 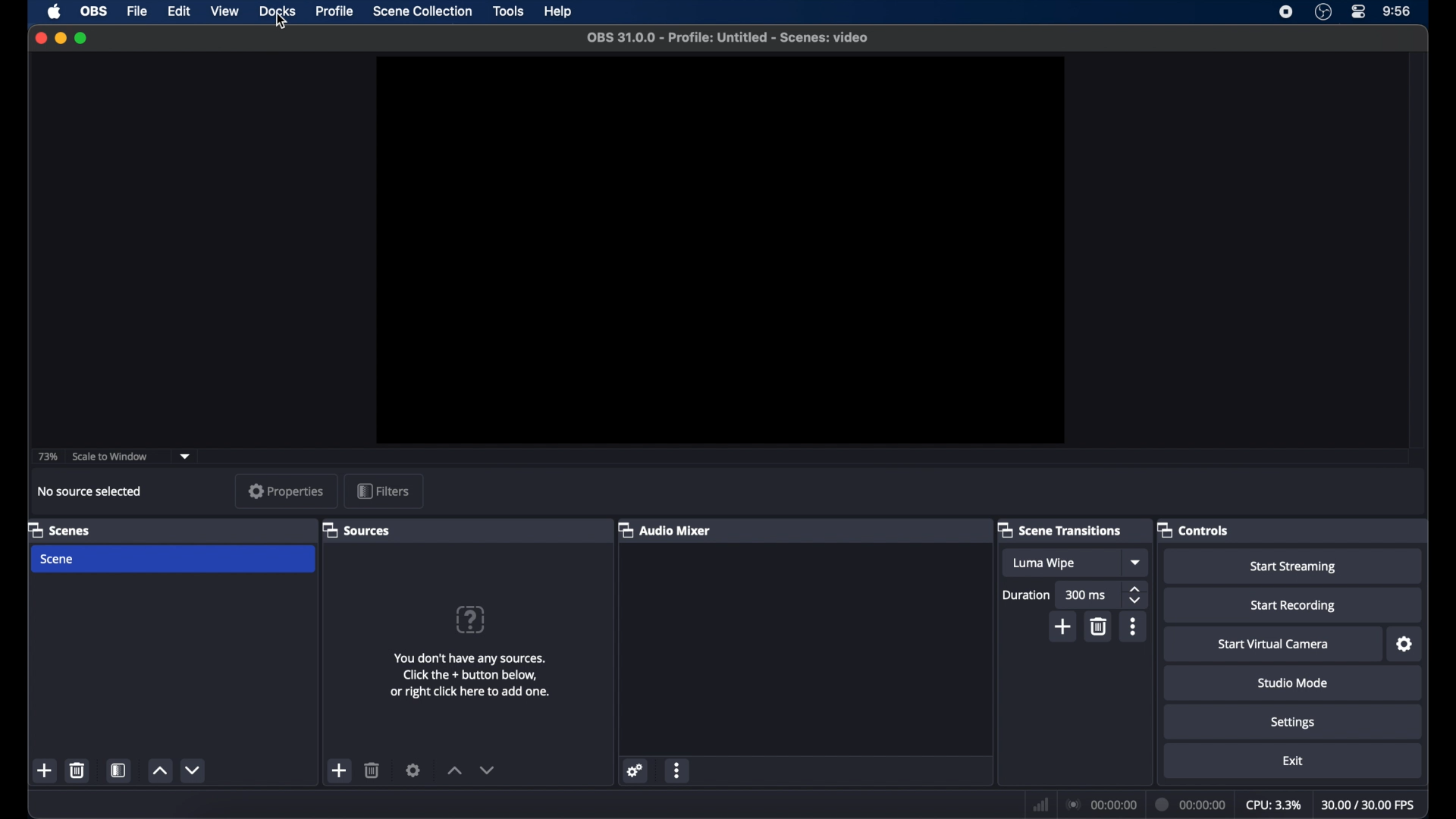 What do you see at coordinates (1323, 12) in the screenshot?
I see `obs studio` at bounding box center [1323, 12].